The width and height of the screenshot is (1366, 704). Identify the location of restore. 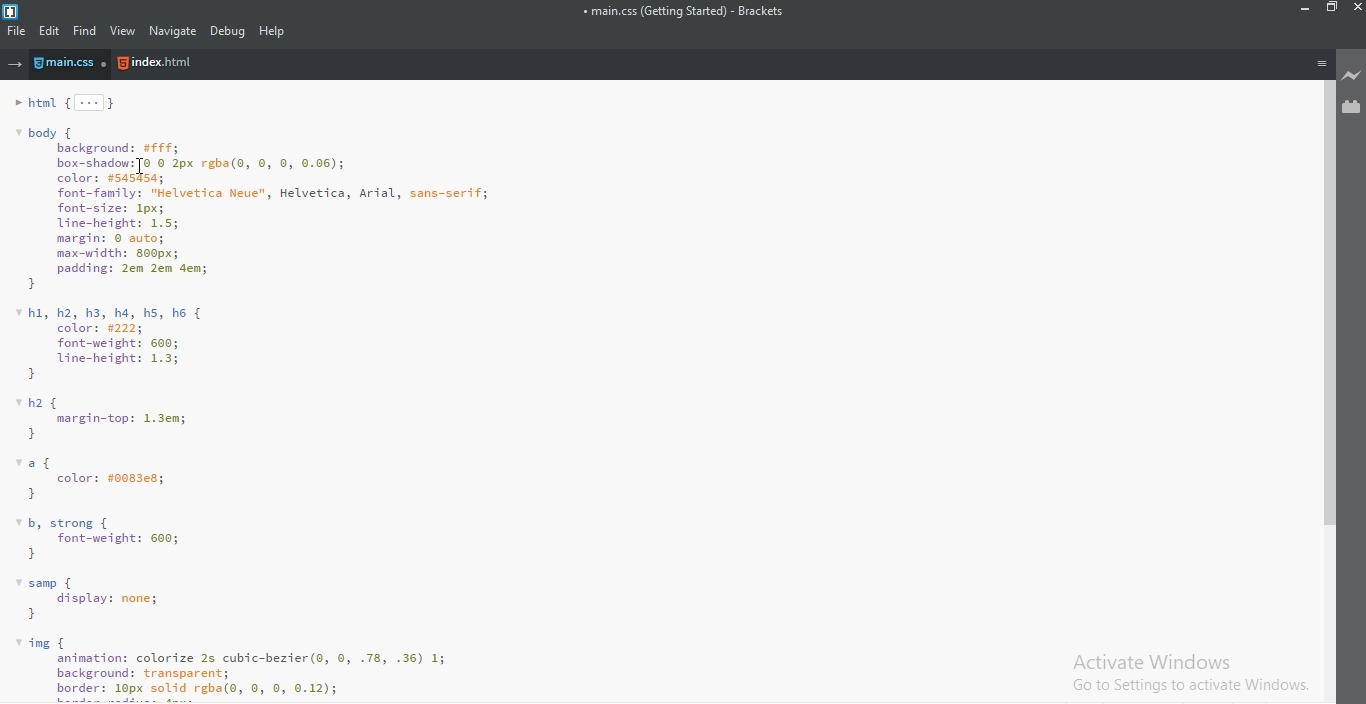
(1330, 11).